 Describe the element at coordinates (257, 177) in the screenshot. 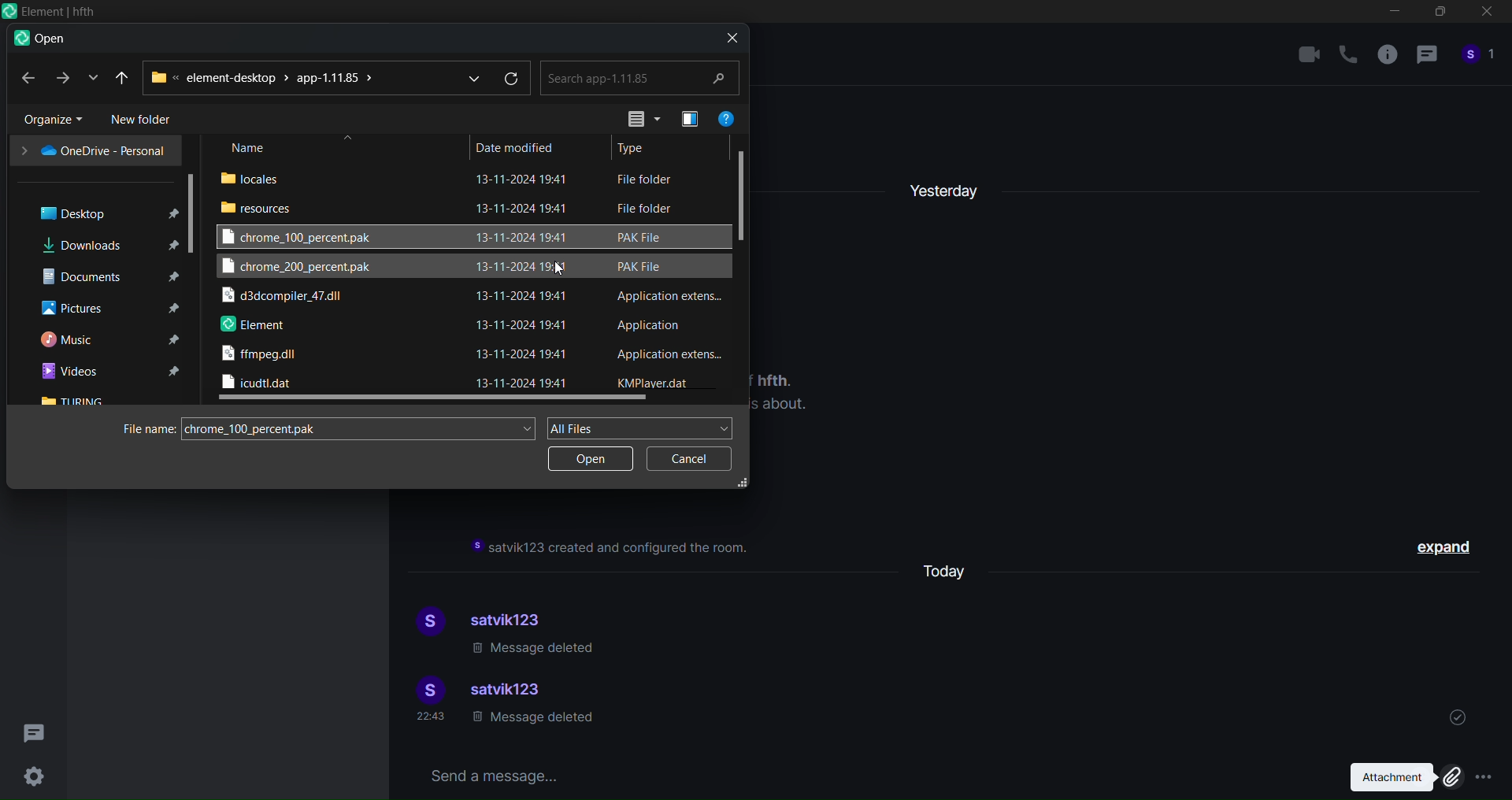

I see `locales` at that location.